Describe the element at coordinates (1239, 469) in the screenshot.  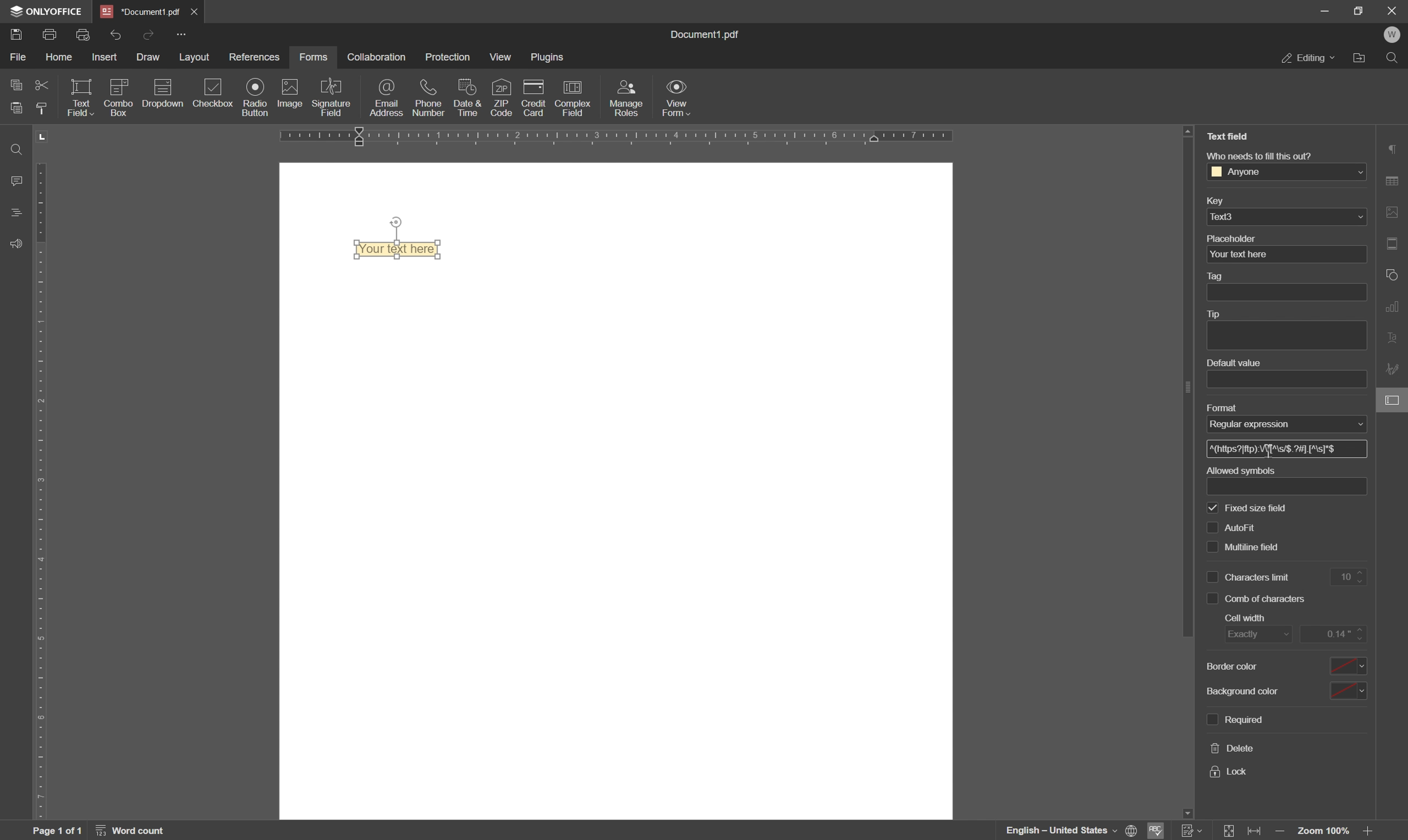
I see `allowed symbols` at that location.